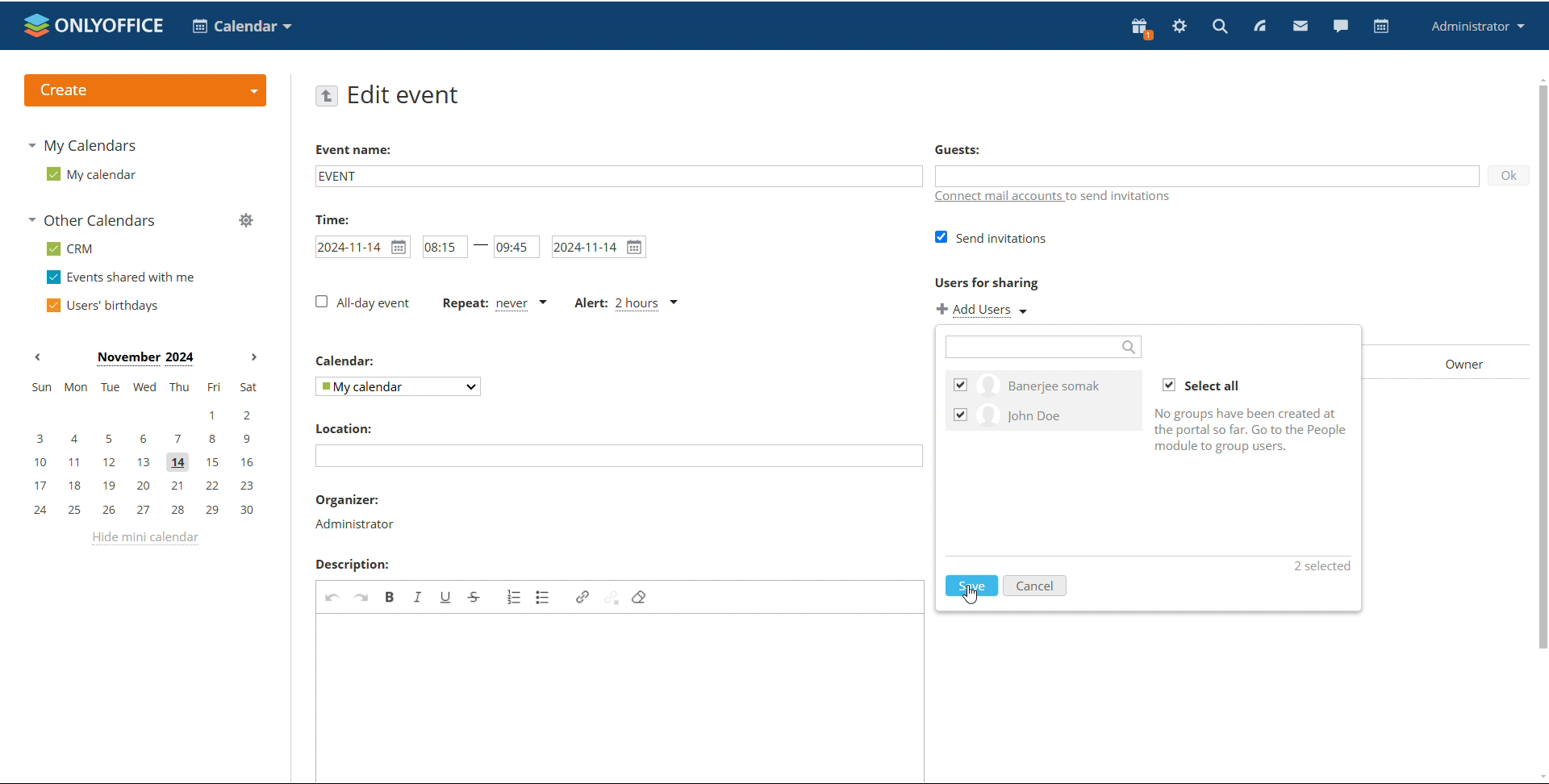  I want to click on create, so click(145, 90).